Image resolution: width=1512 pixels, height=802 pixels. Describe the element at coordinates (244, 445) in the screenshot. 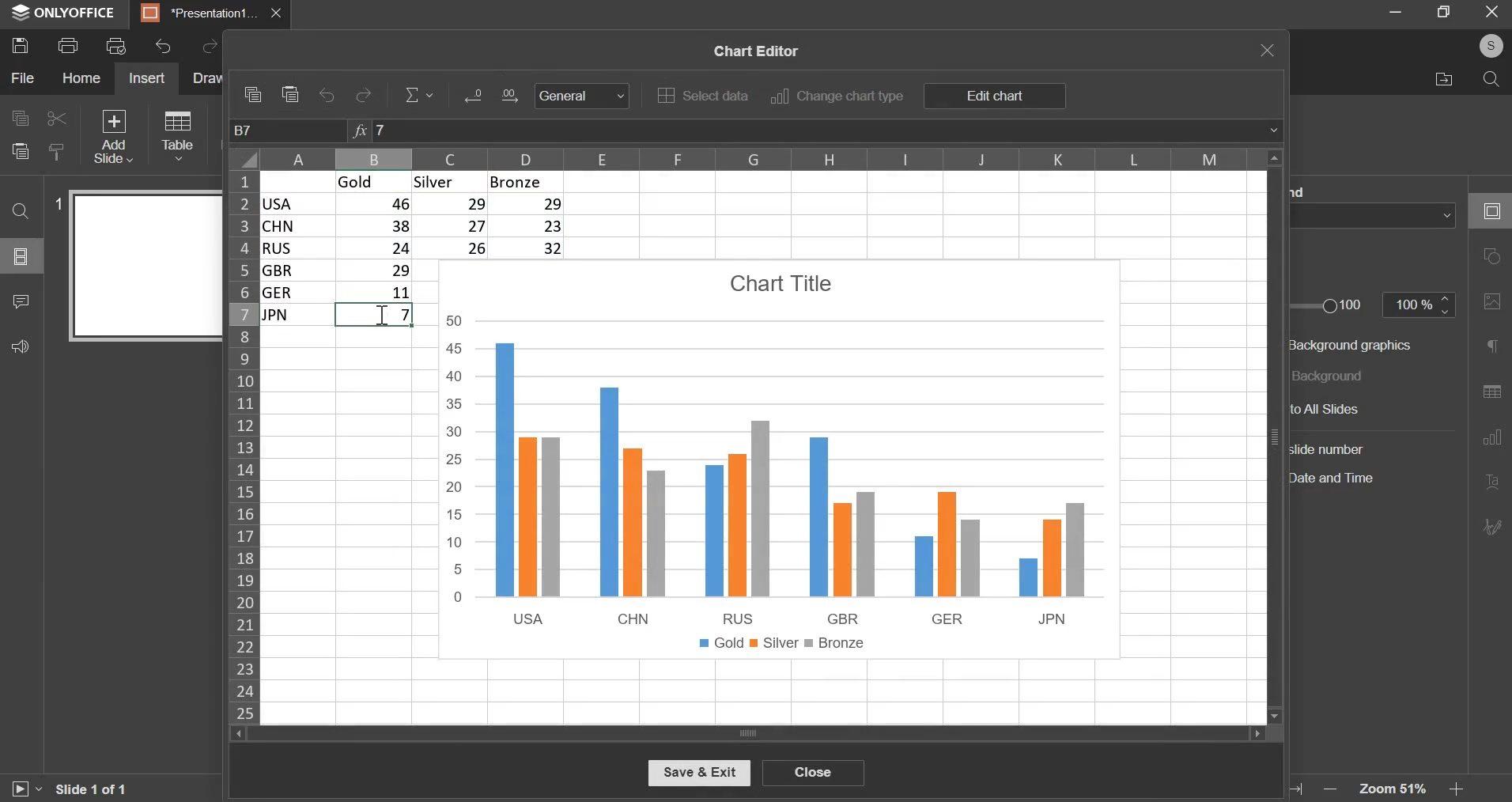

I see `rows` at that location.